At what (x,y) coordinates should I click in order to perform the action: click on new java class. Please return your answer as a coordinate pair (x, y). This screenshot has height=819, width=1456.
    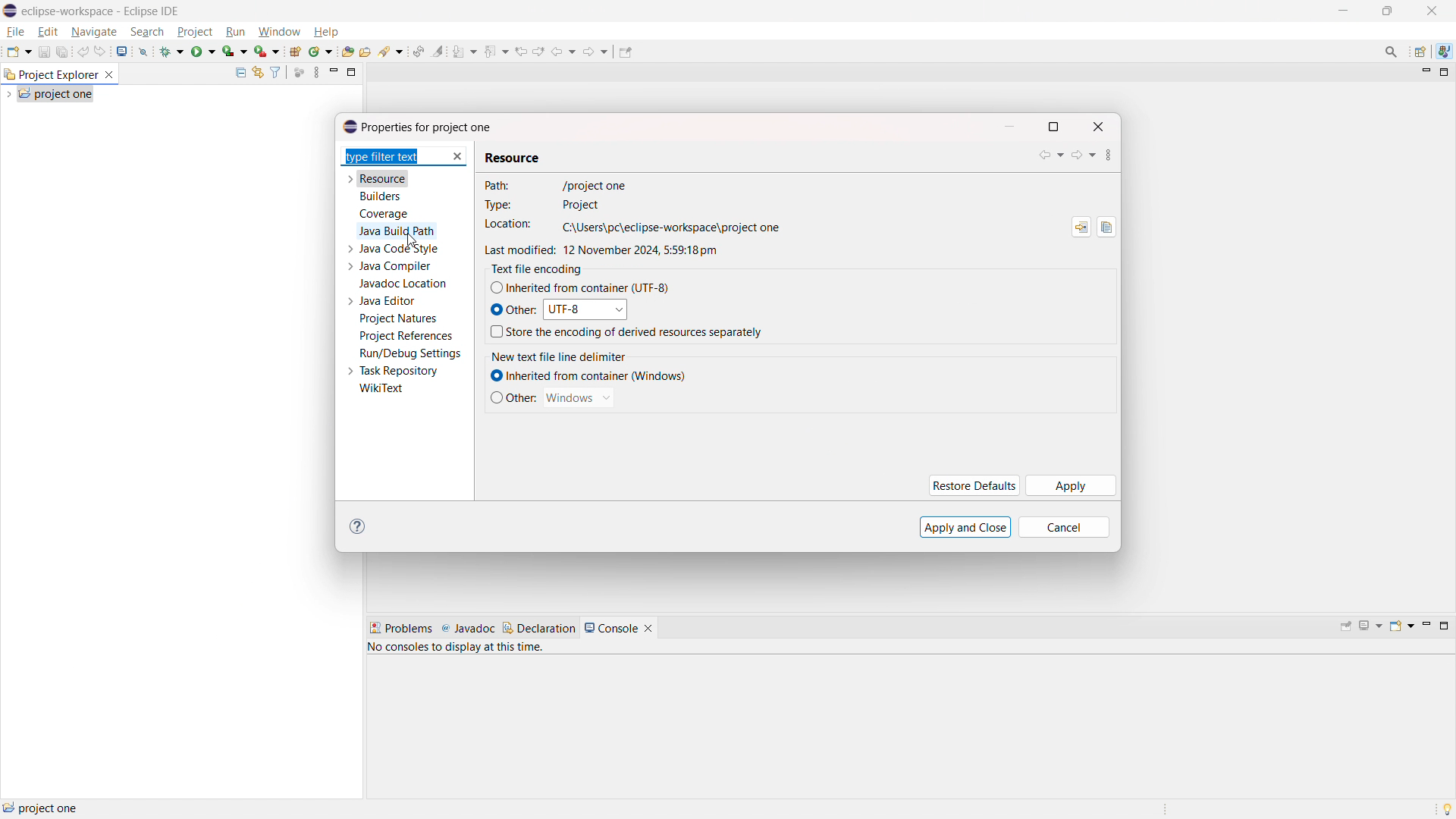
    Looking at the image, I should click on (321, 52).